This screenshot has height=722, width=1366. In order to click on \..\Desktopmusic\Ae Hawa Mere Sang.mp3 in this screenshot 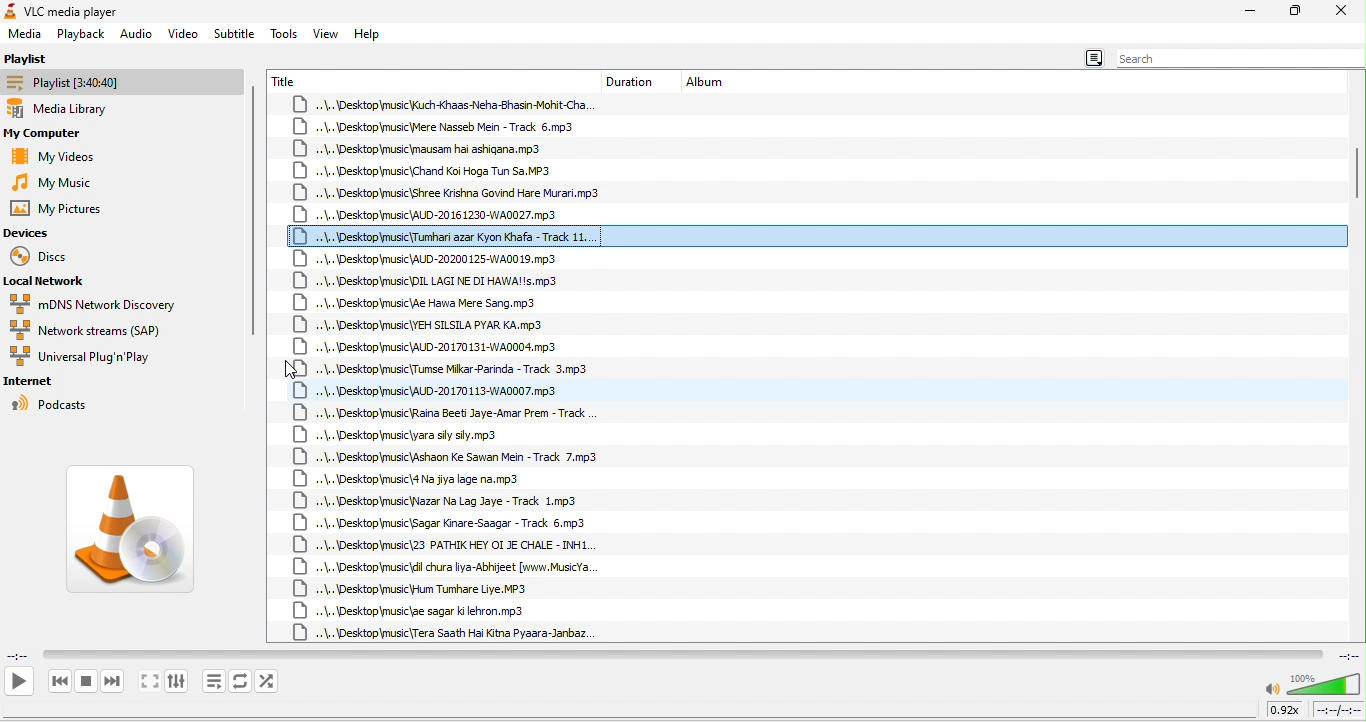, I will do `click(420, 302)`.